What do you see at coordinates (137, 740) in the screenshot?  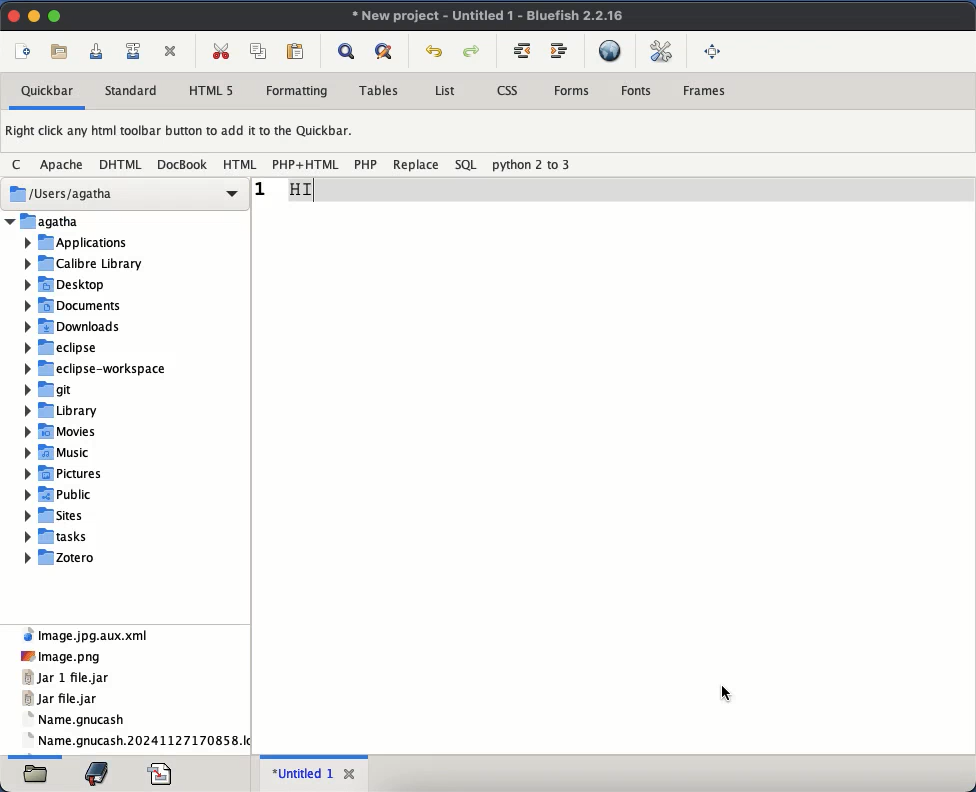 I see `name gnucash` at bounding box center [137, 740].